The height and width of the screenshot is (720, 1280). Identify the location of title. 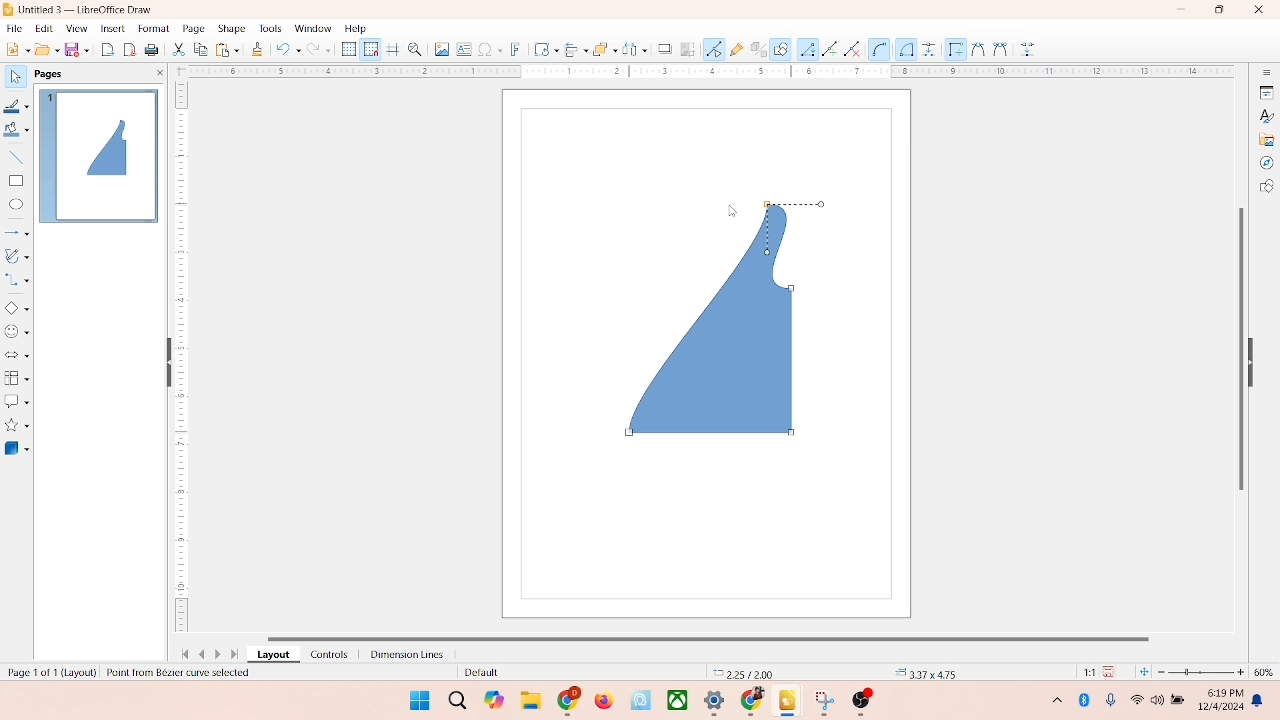
(87, 8).